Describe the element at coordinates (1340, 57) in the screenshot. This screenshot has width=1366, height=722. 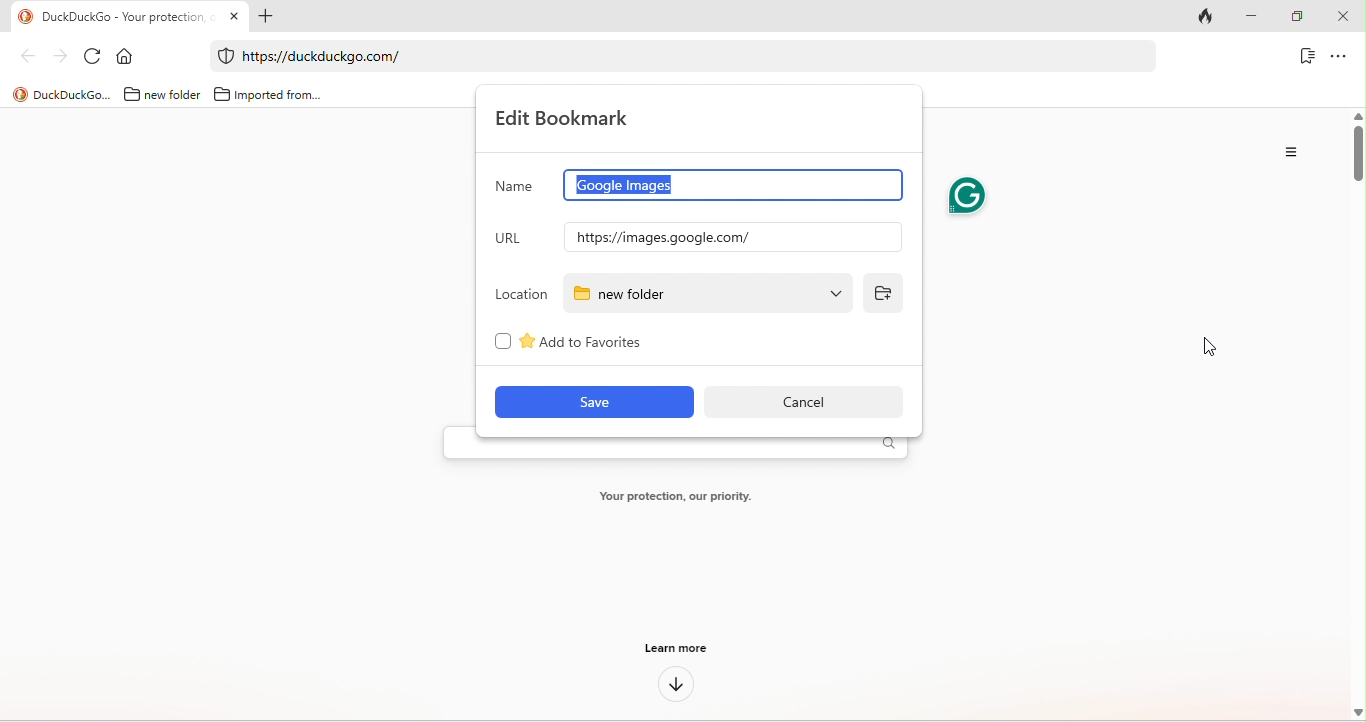
I see `option` at that location.